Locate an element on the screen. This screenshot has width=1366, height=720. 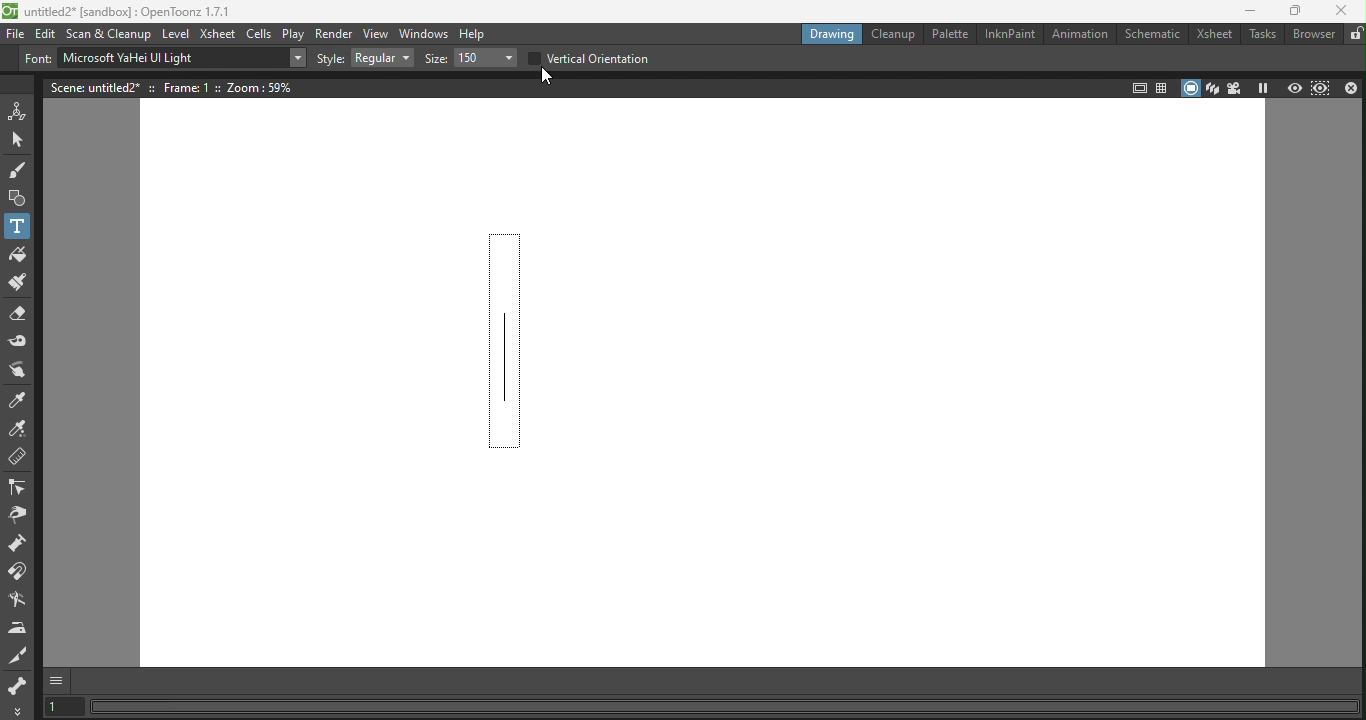
Selection tool is located at coordinates (18, 141).